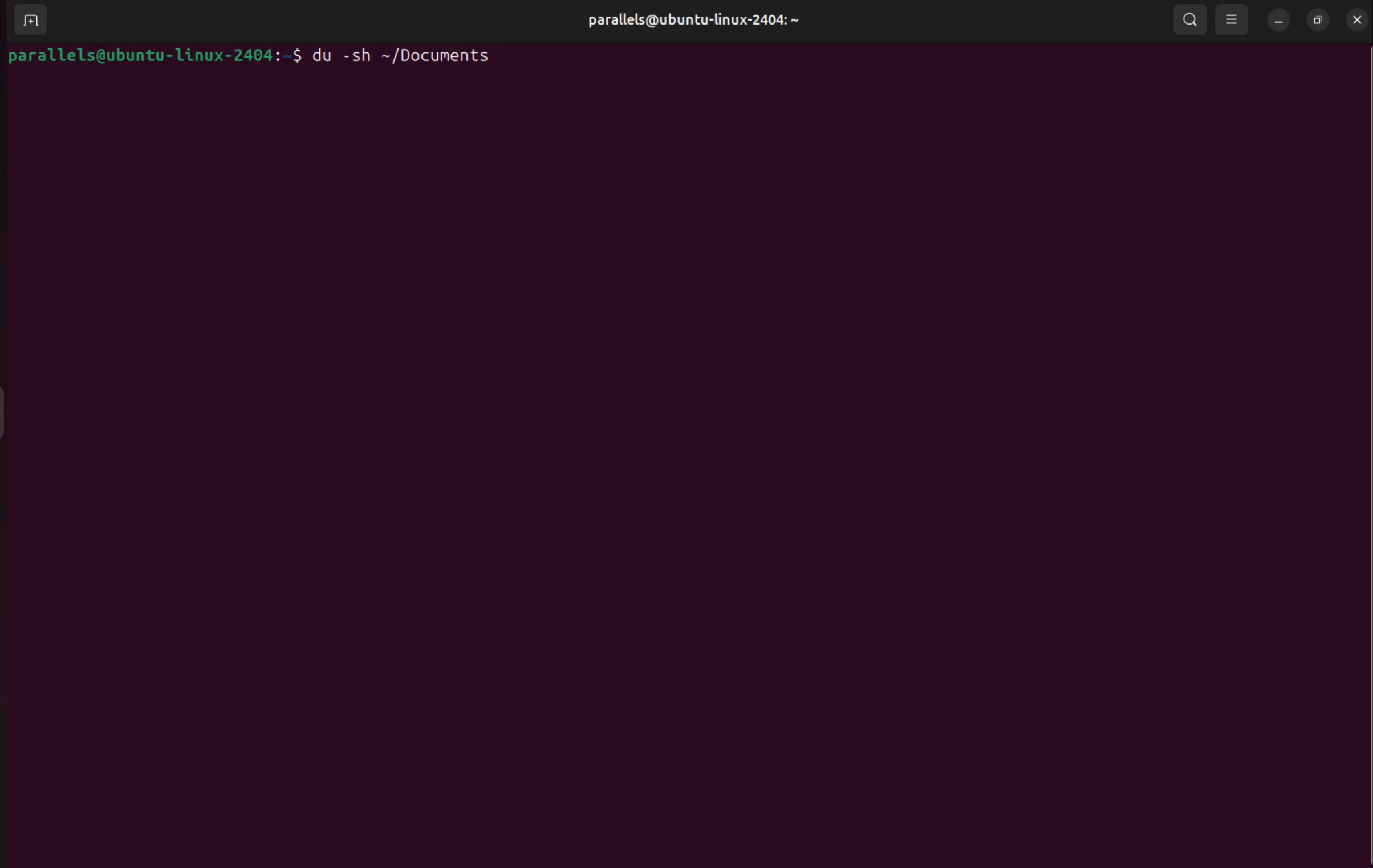 The width and height of the screenshot is (1373, 868). What do you see at coordinates (1358, 19) in the screenshot?
I see `close` at bounding box center [1358, 19].